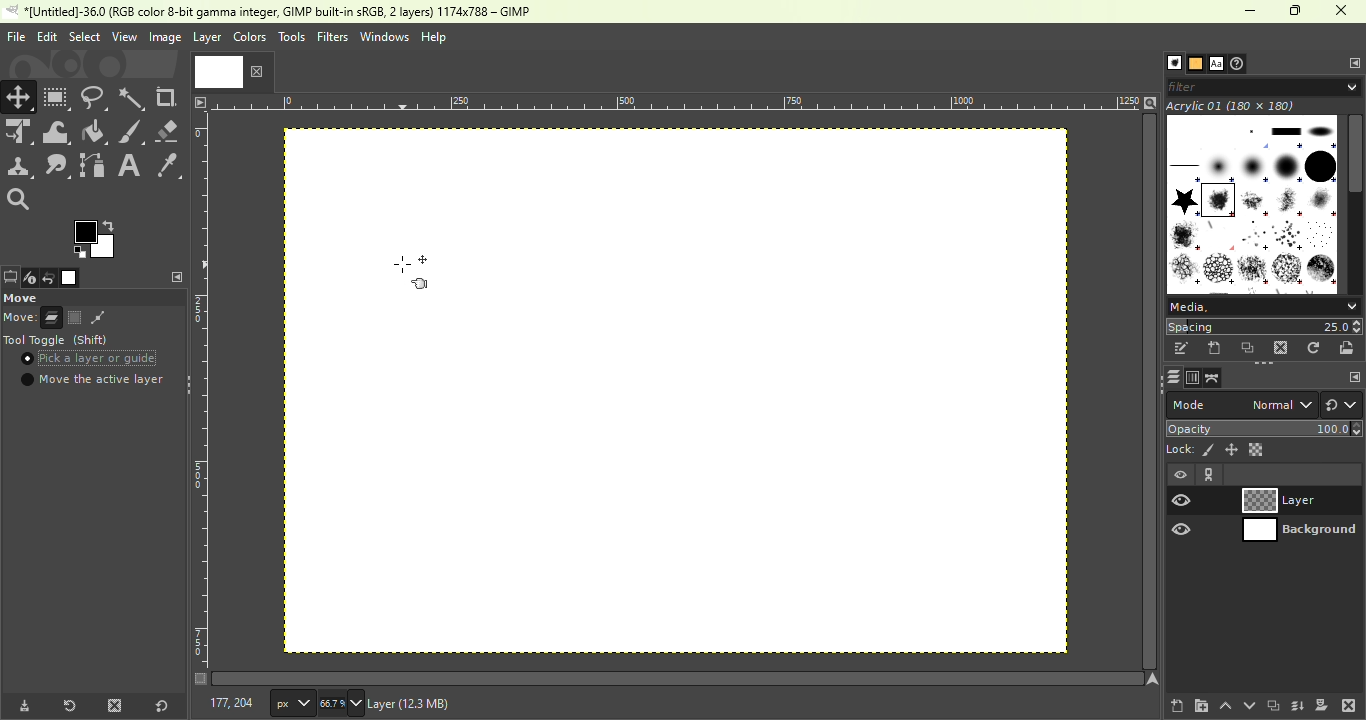 This screenshot has height=720, width=1366. I want to click on File, so click(14, 36).